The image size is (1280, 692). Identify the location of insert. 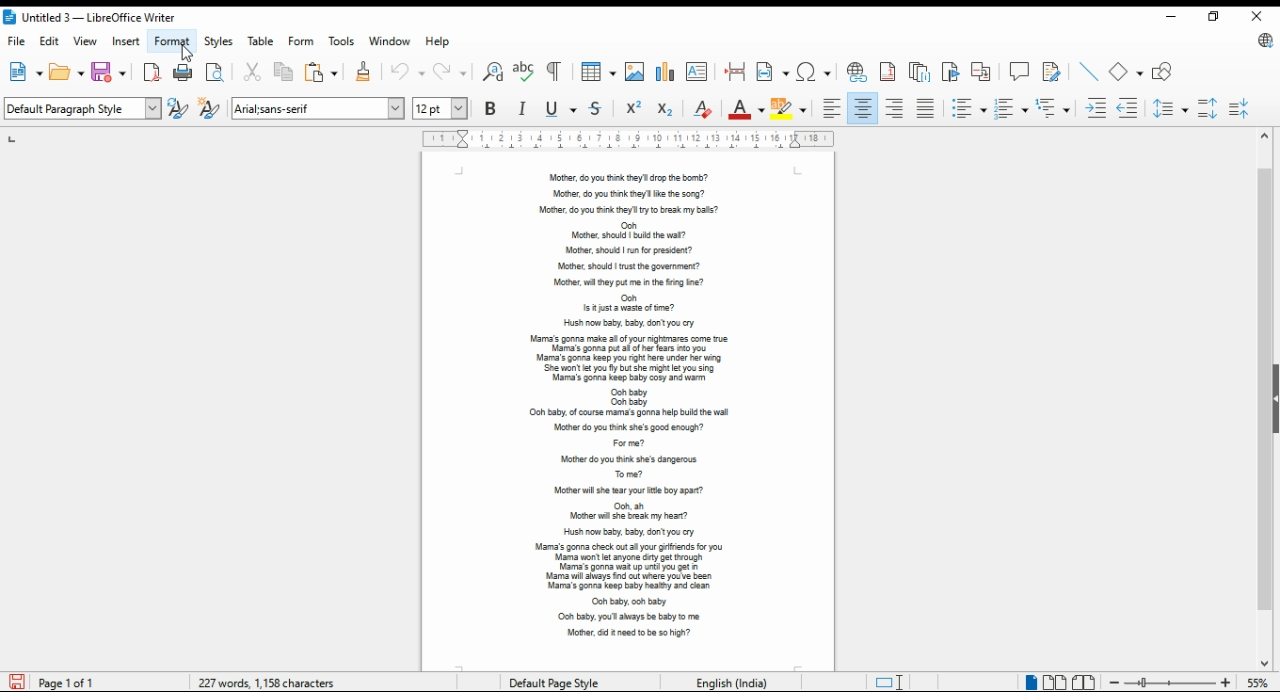
(126, 41).